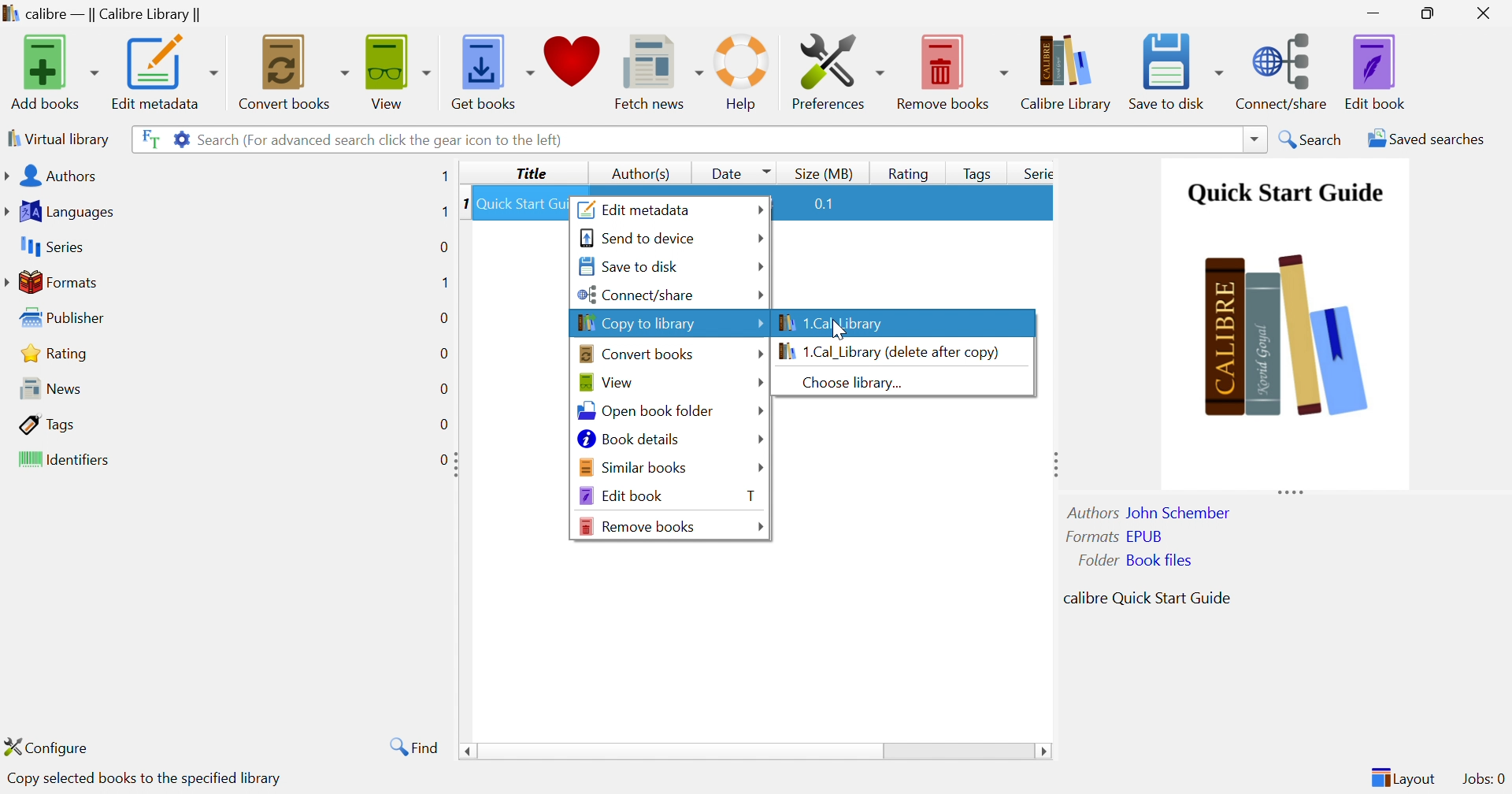 The image size is (1512, 794). What do you see at coordinates (1290, 492) in the screenshot?
I see `Expand` at bounding box center [1290, 492].